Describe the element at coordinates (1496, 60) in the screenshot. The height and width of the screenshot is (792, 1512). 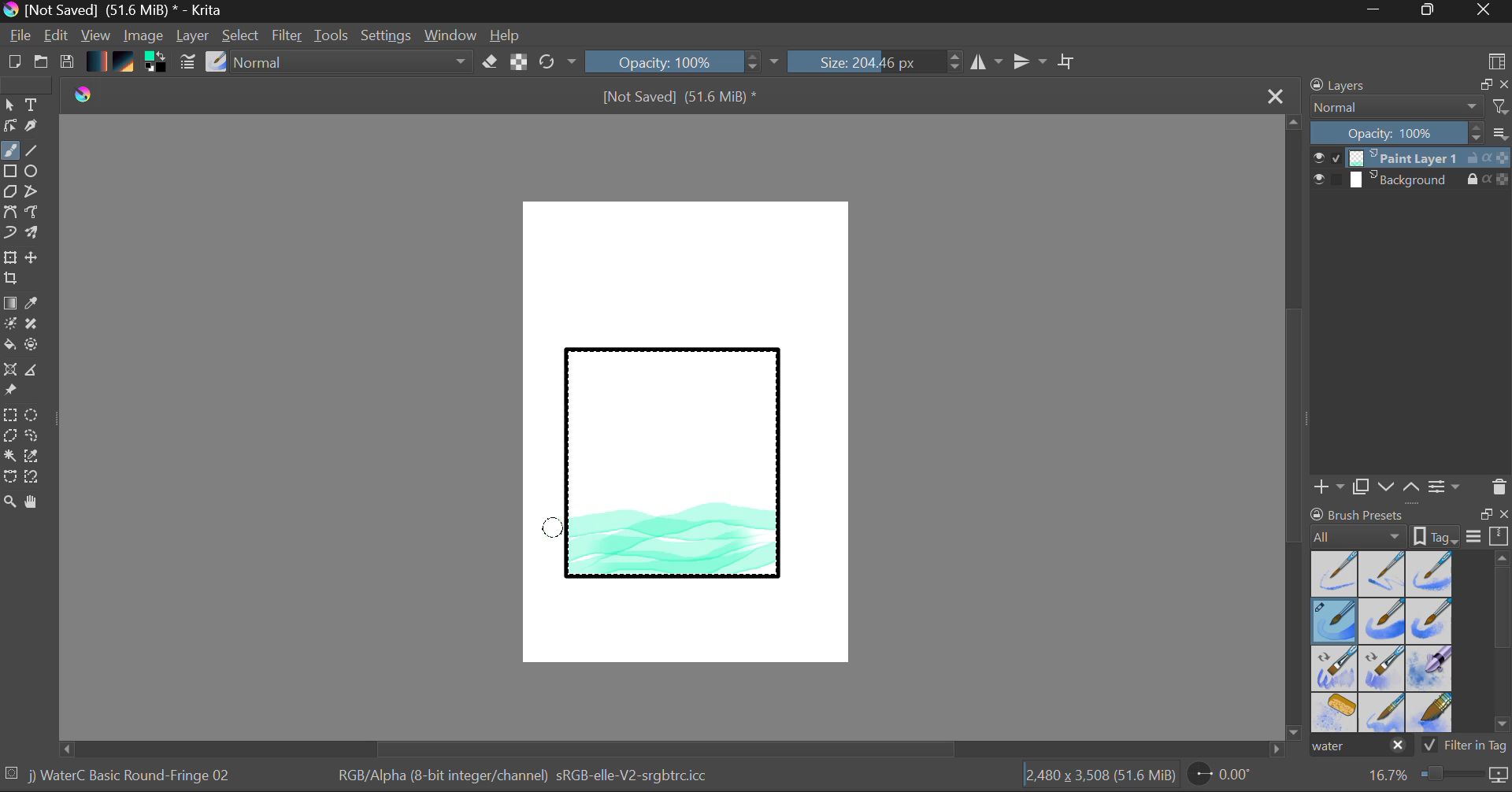
I see `Choose Workspace` at that location.